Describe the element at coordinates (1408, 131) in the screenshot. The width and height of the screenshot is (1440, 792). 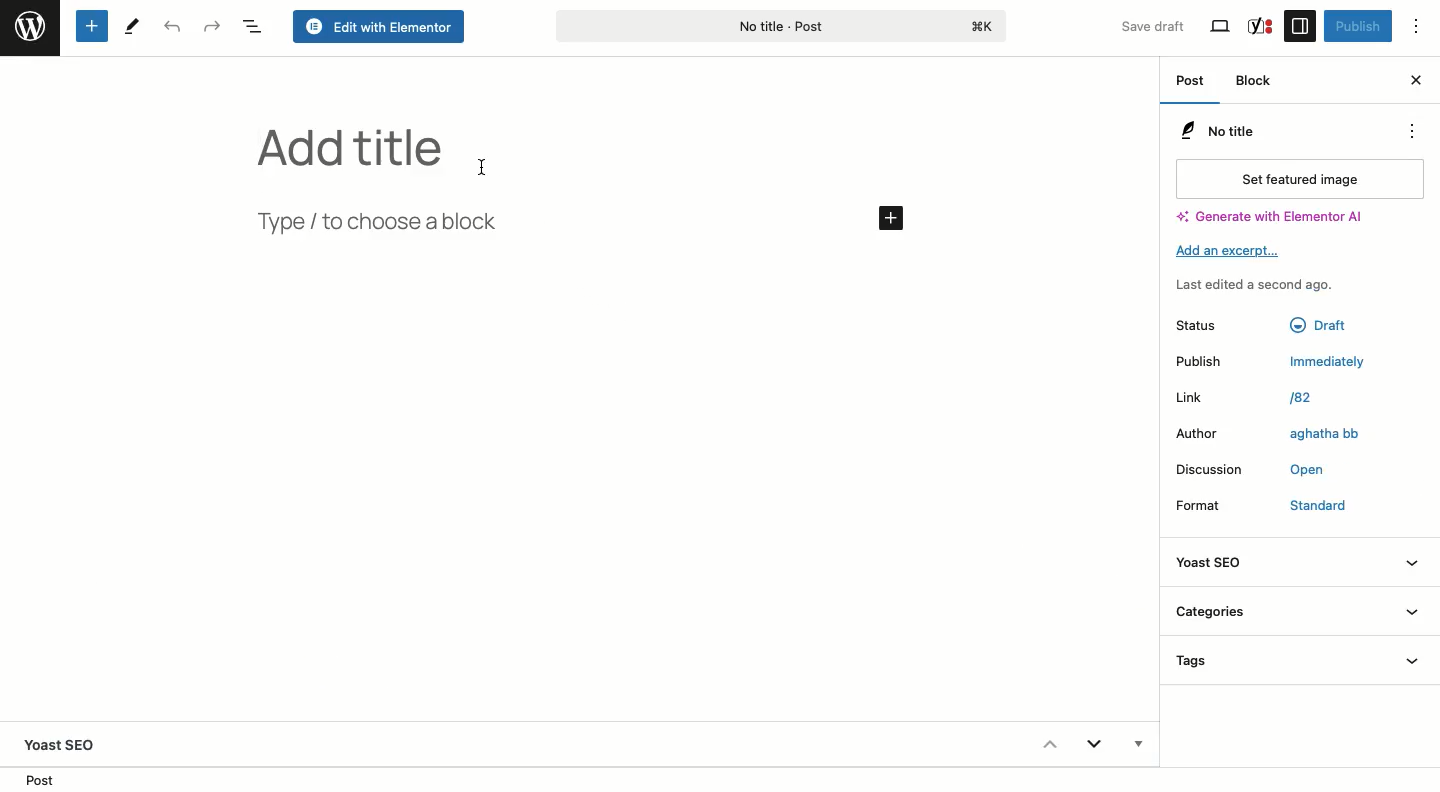
I see `Actions` at that location.